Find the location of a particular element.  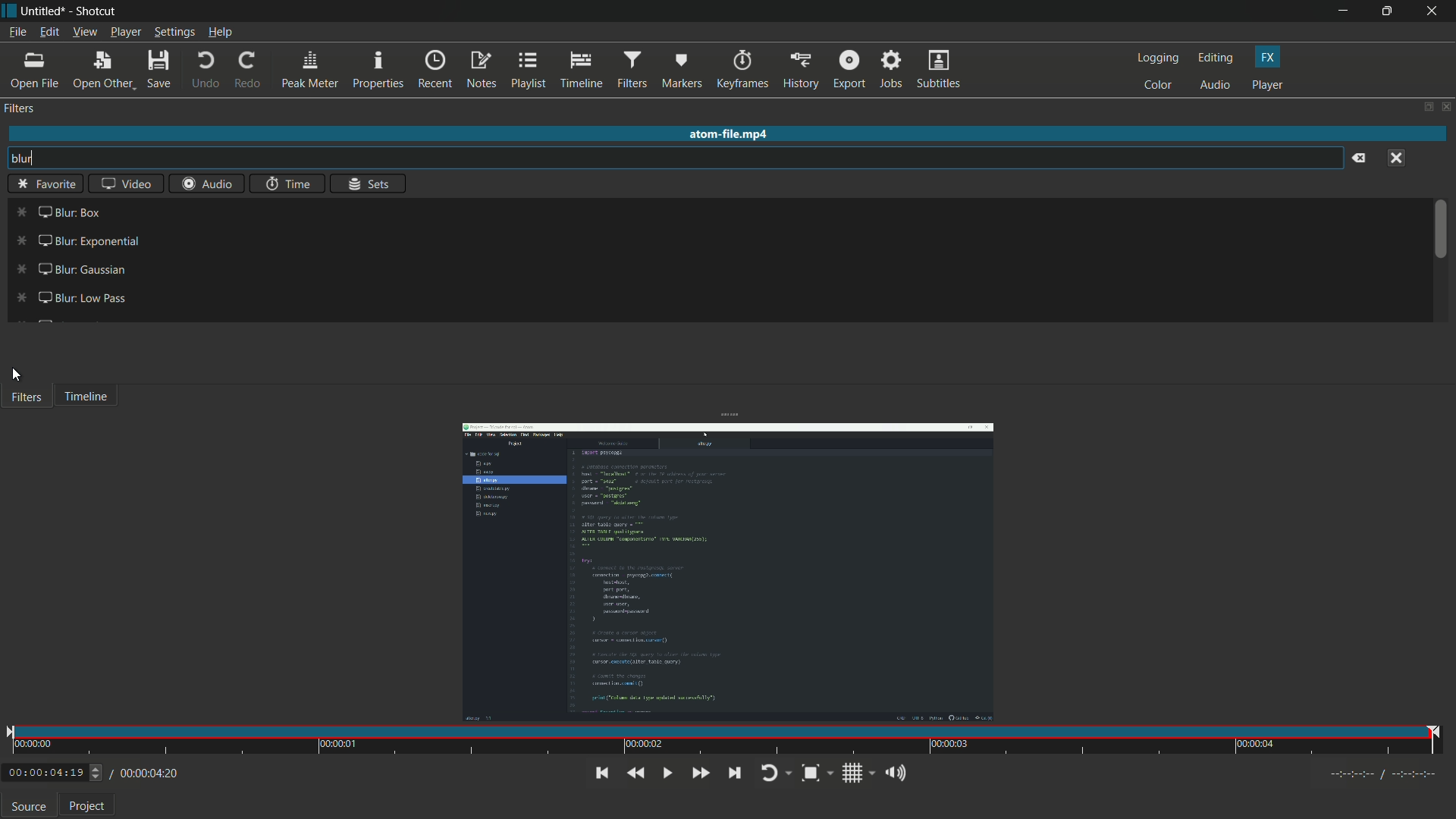

atom-file.mp4 (file name) is located at coordinates (729, 132).